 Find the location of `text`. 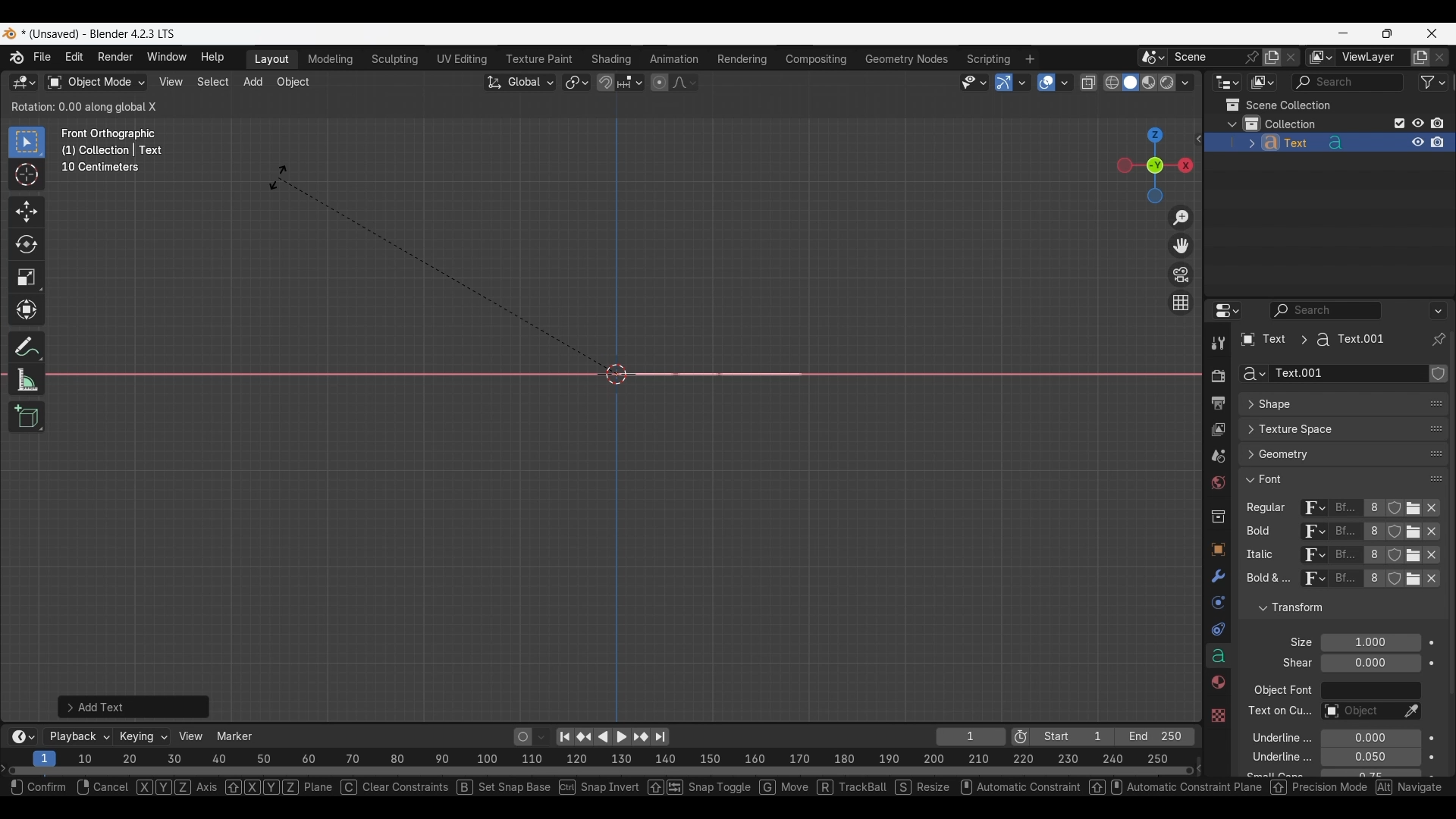

text is located at coordinates (1293, 664).